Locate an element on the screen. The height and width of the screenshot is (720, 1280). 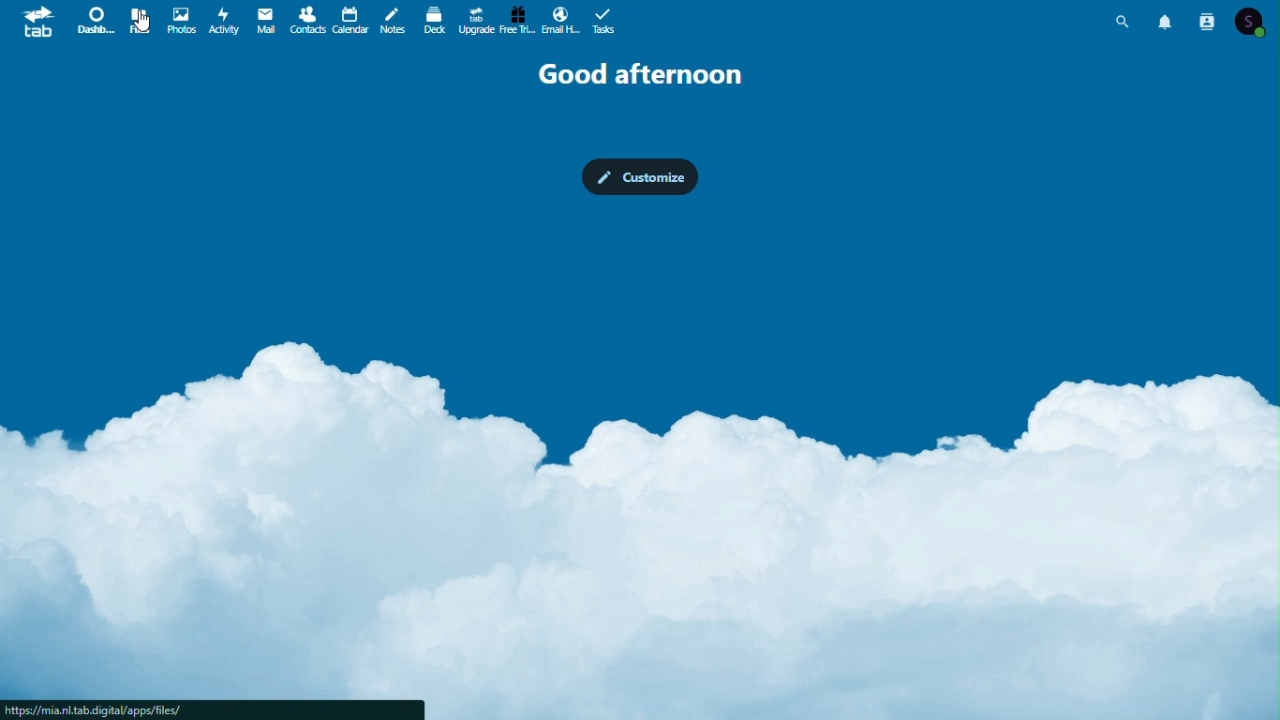
account icon is located at coordinates (1254, 21).